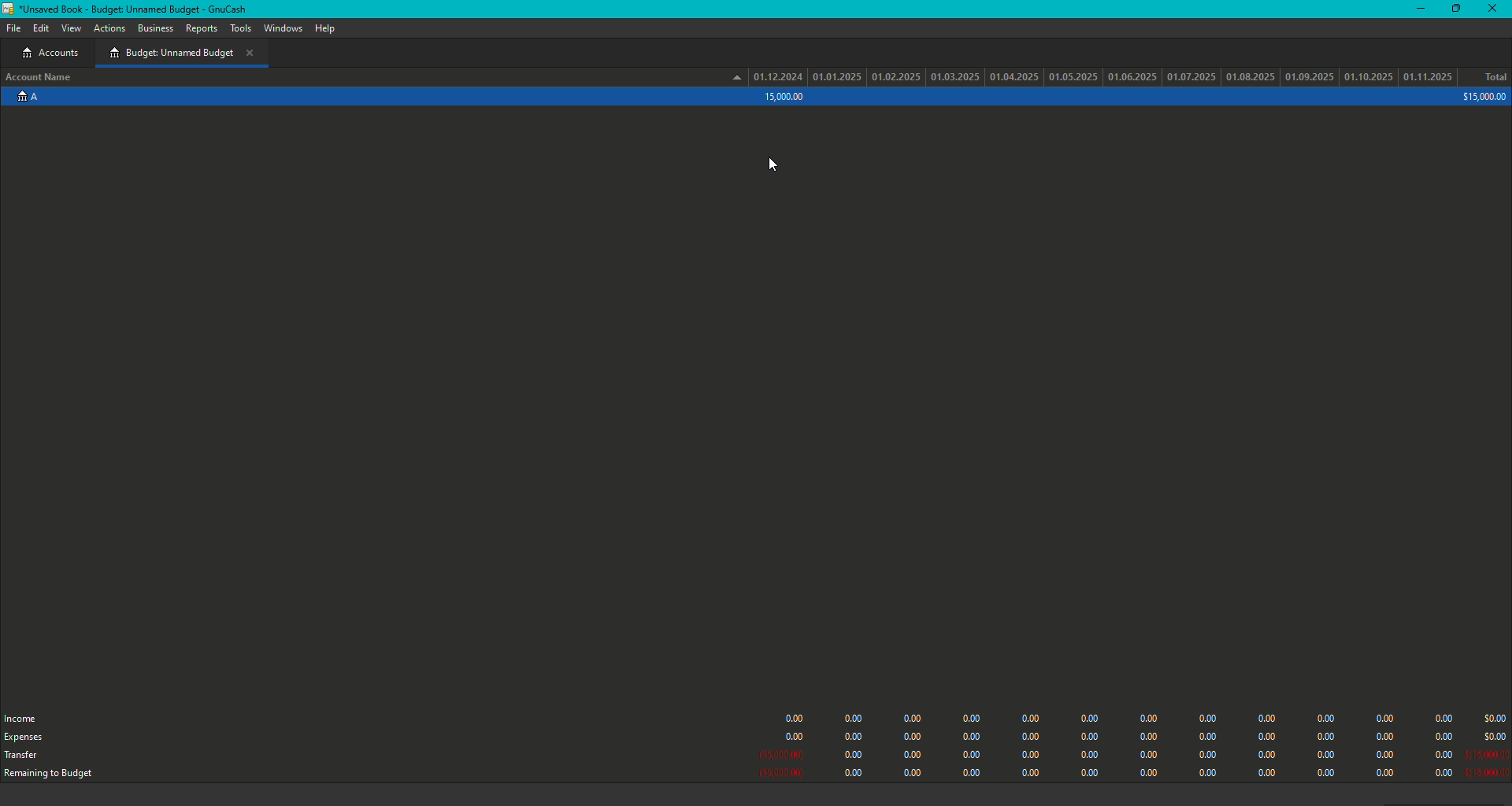  What do you see at coordinates (57, 775) in the screenshot?
I see `Remaining to Budget` at bounding box center [57, 775].